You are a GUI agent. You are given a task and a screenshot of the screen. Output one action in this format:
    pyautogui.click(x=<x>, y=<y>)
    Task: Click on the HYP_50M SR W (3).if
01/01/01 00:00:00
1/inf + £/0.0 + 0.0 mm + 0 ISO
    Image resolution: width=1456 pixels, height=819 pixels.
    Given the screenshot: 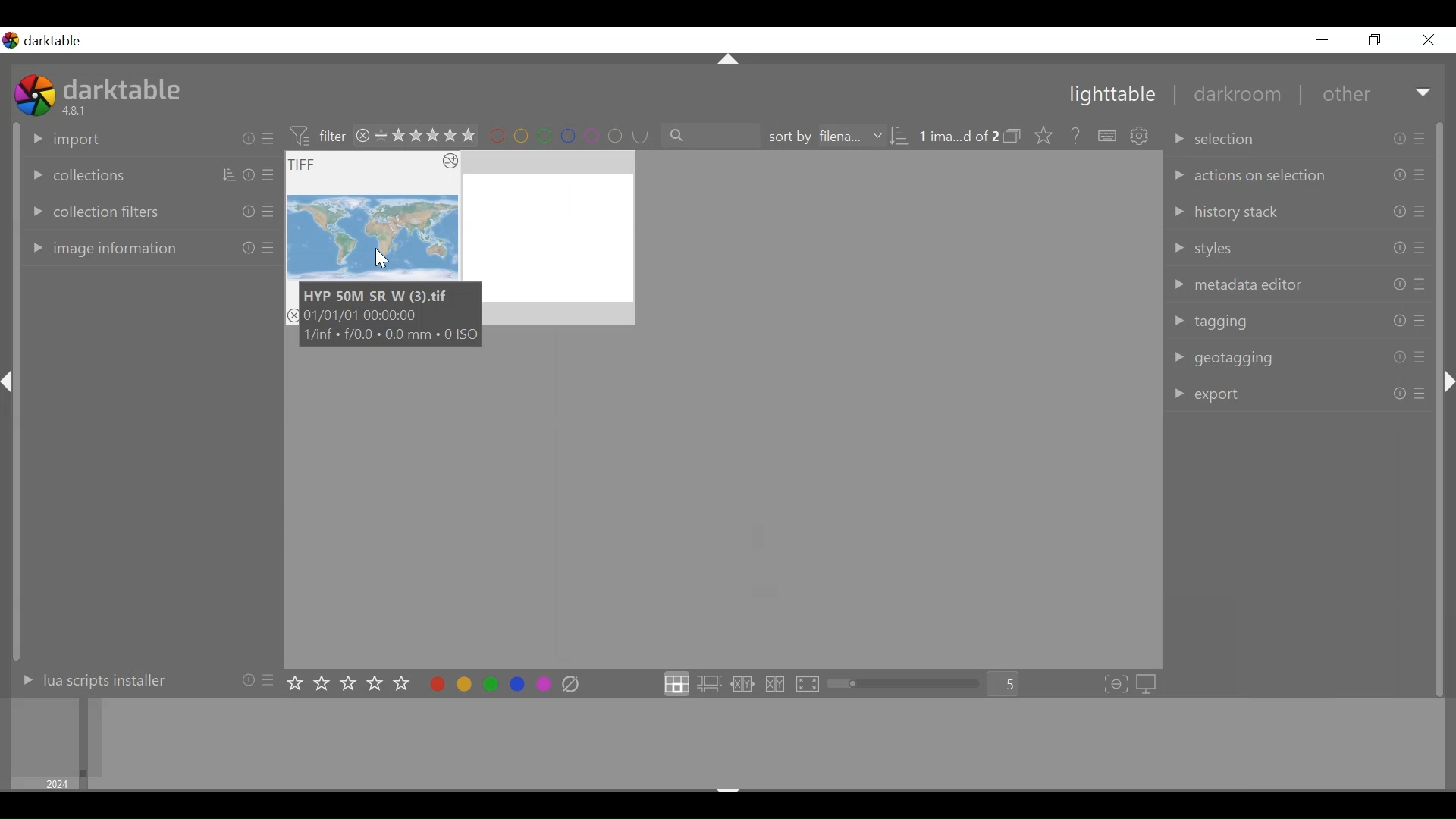 What is the action you would take?
    pyautogui.click(x=397, y=315)
    